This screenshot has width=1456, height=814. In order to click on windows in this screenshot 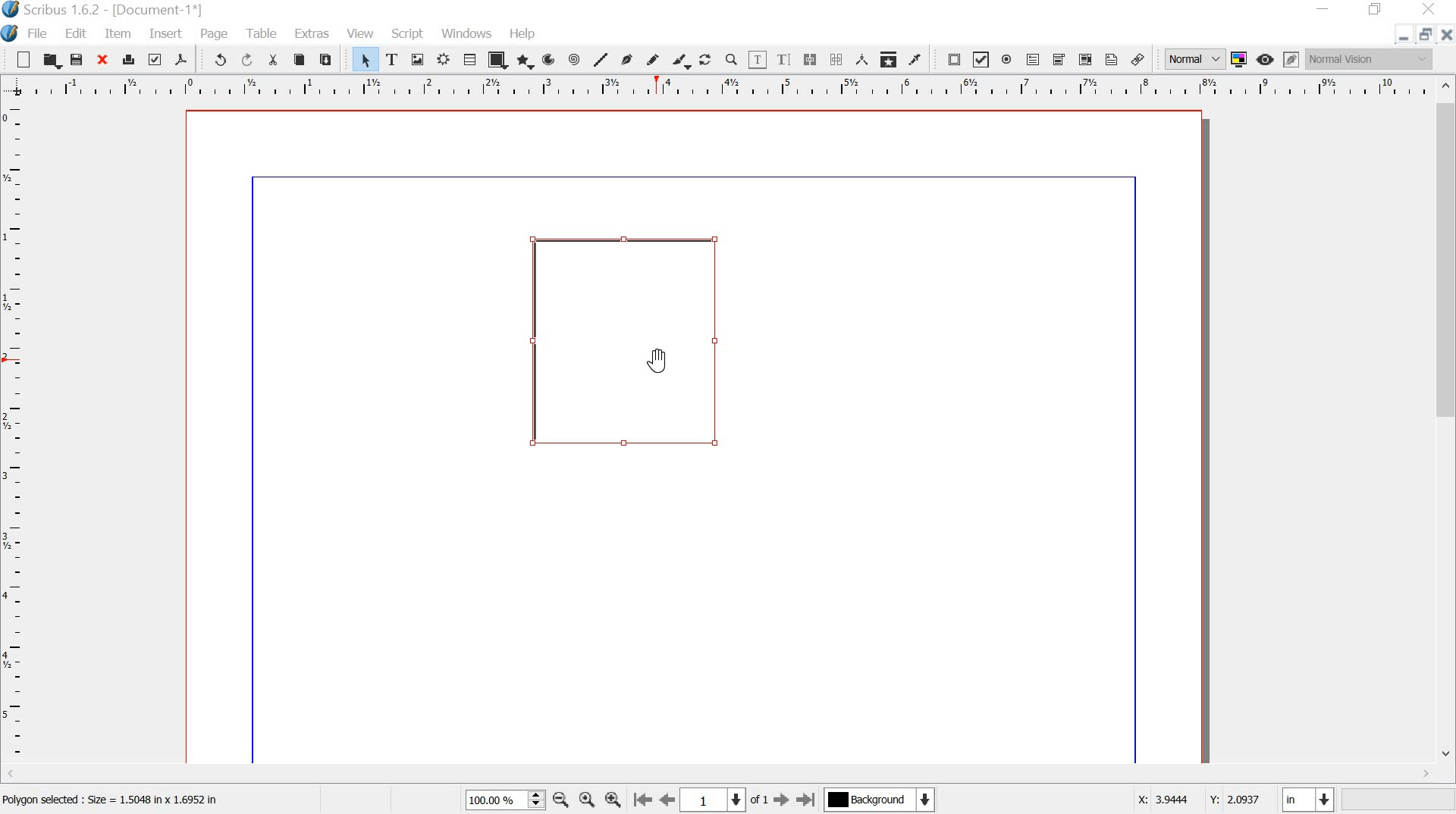, I will do `click(467, 33)`.